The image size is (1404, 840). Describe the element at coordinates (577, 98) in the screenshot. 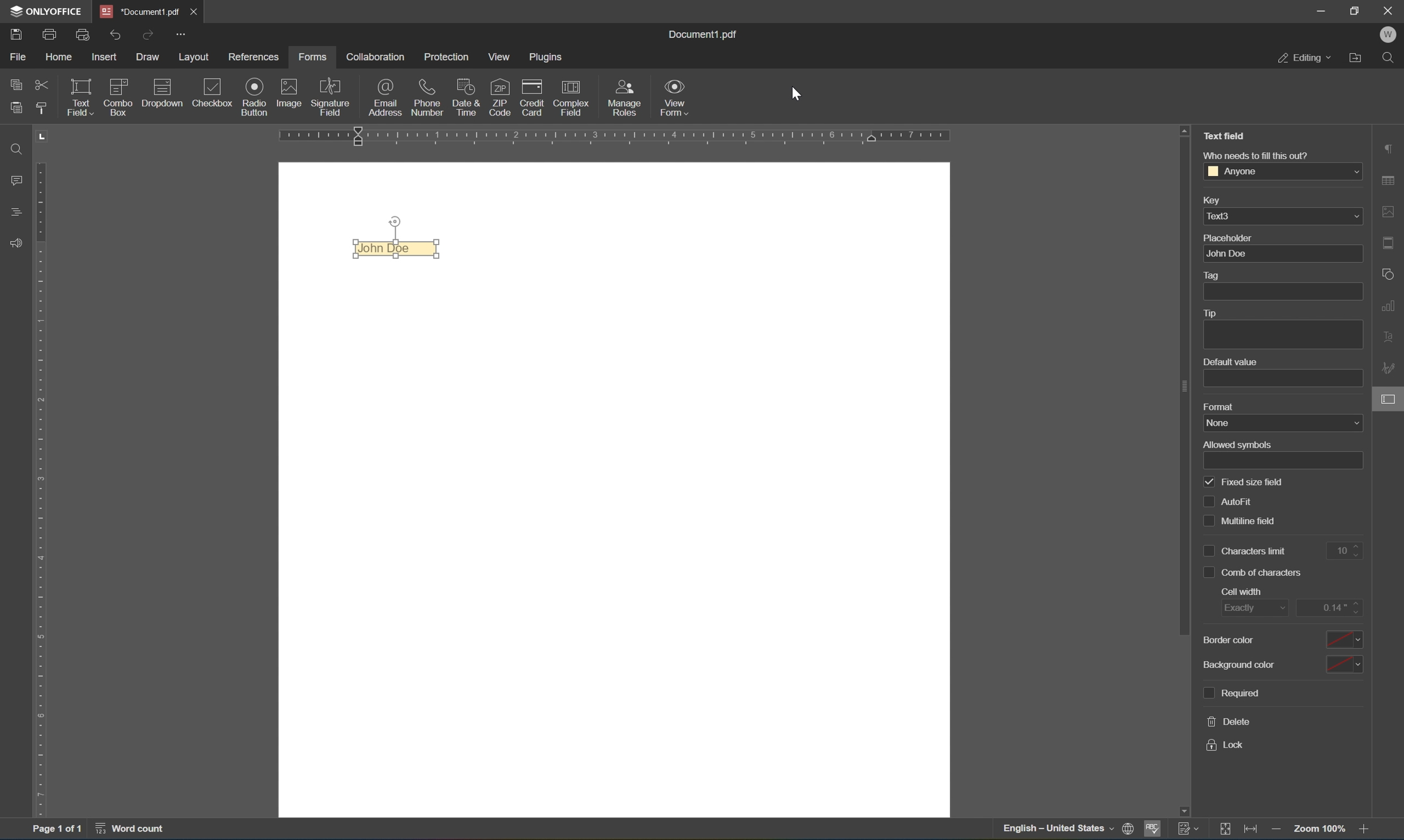

I see `complex field` at that location.